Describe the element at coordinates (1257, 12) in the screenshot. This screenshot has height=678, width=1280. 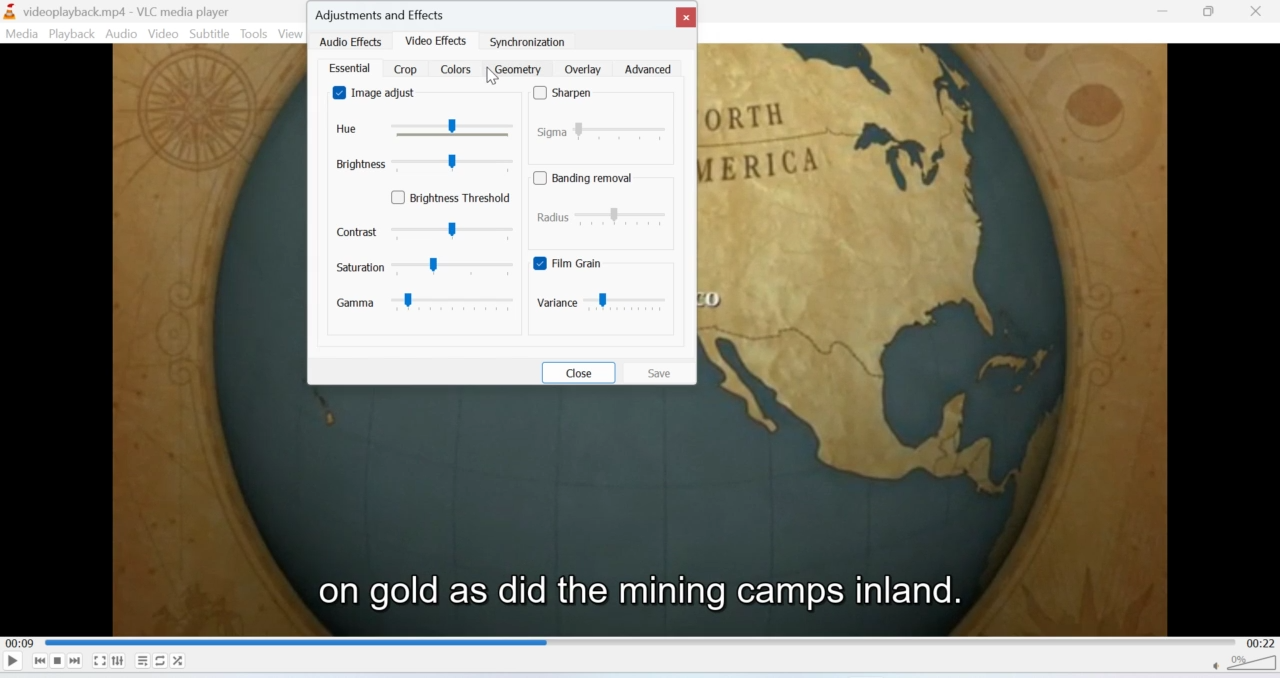
I see `Close` at that location.